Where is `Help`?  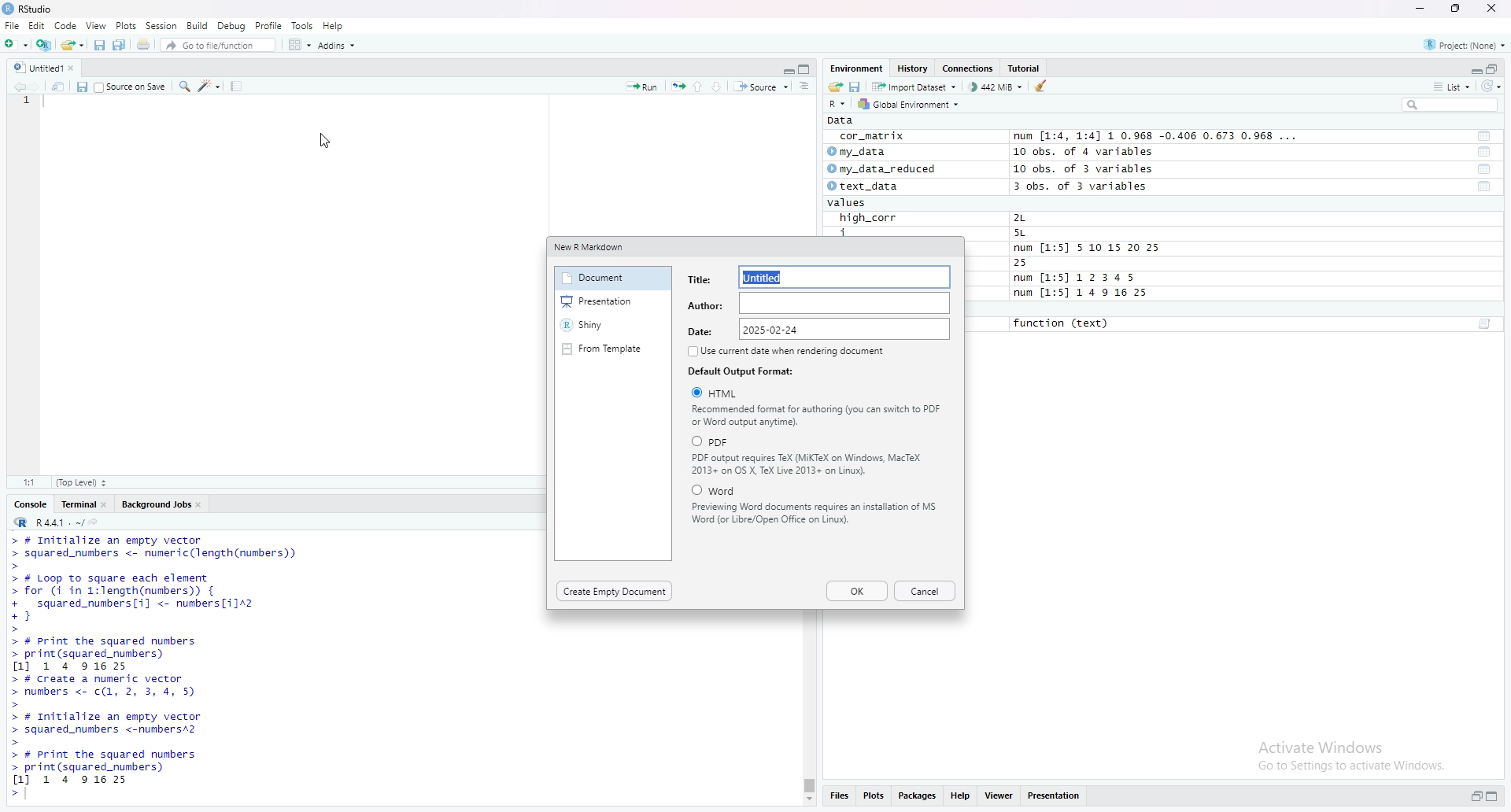 Help is located at coordinates (962, 798).